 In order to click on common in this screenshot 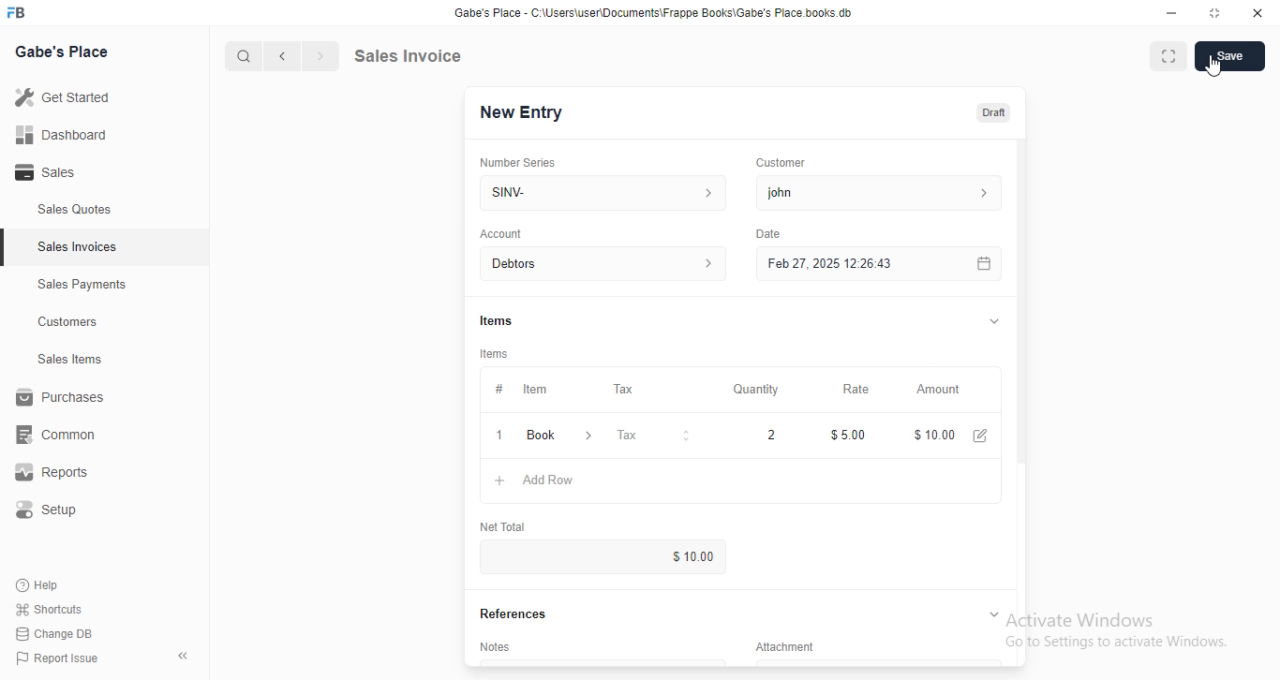, I will do `click(57, 436)`.